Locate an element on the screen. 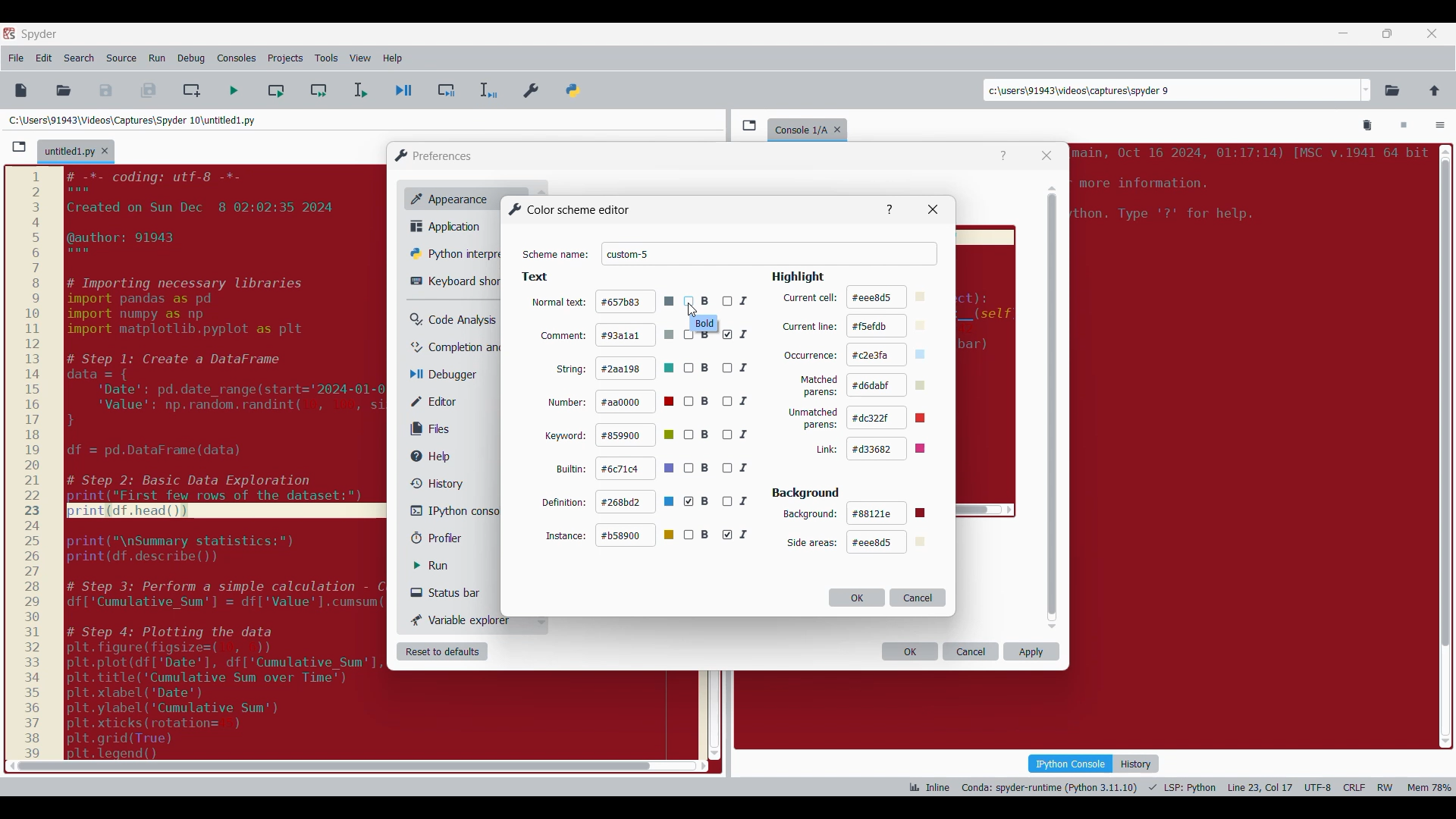 Image resolution: width=1456 pixels, height=819 pixels. Browse a working directory is located at coordinates (1392, 90).